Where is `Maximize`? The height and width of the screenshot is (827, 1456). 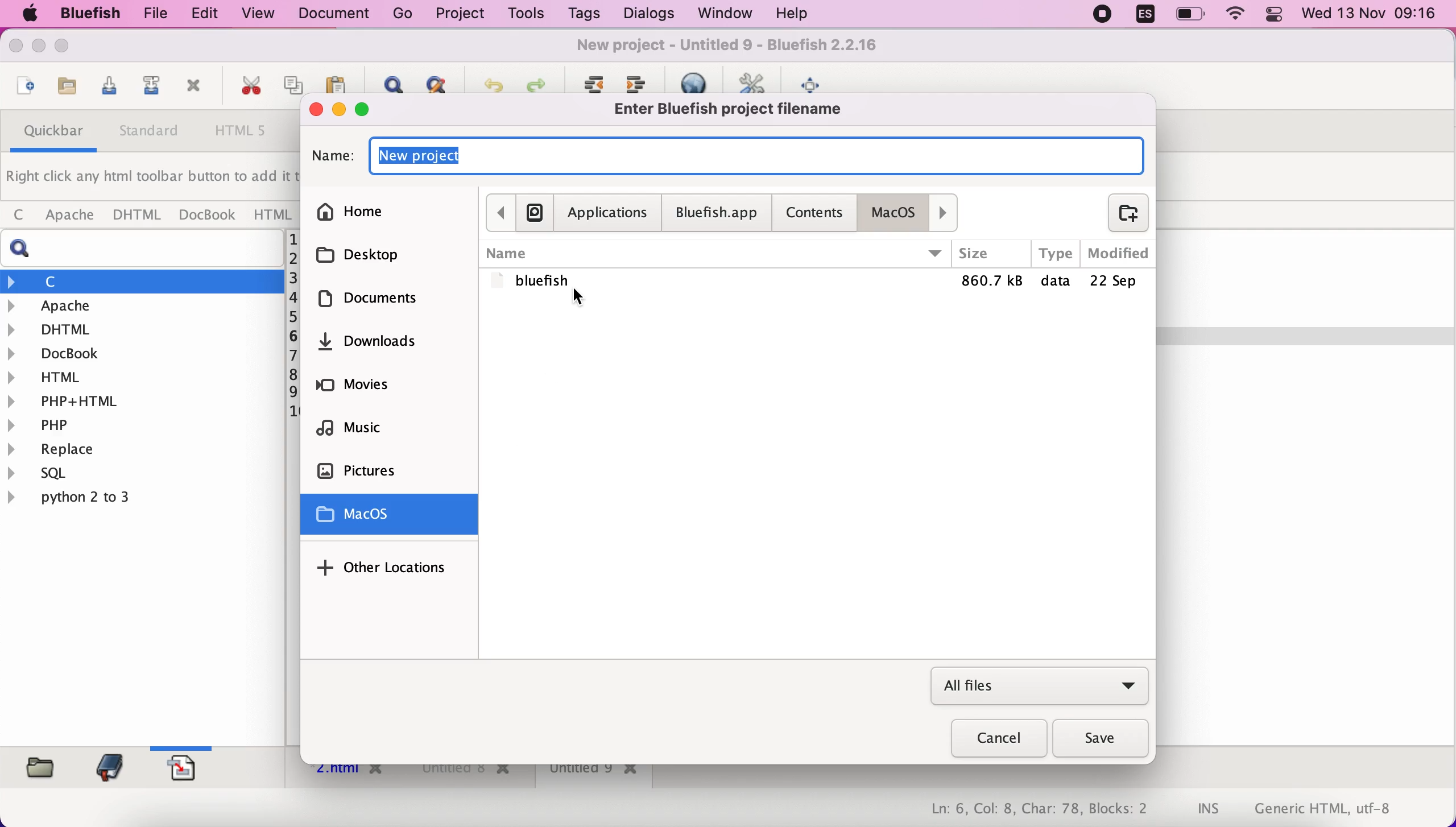 Maximize is located at coordinates (68, 47).